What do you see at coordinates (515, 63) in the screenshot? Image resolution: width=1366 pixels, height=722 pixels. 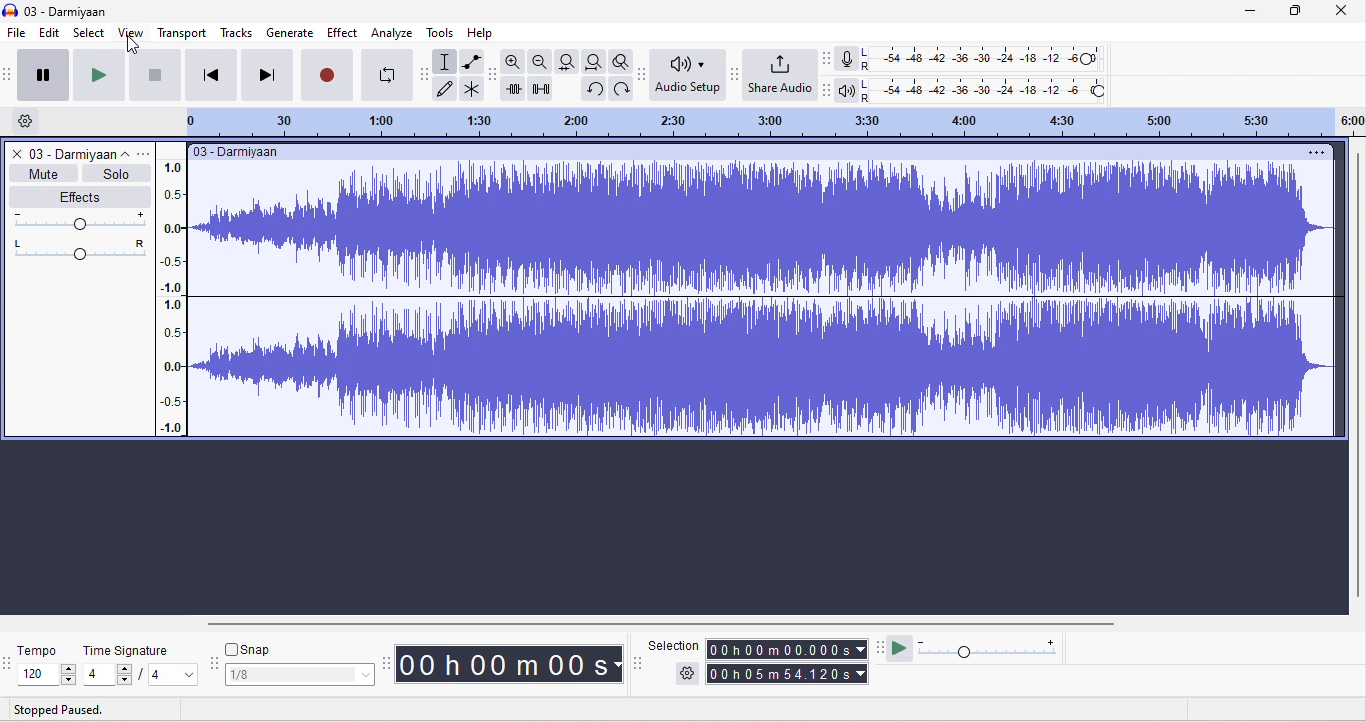 I see `zoom in` at bounding box center [515, 63].